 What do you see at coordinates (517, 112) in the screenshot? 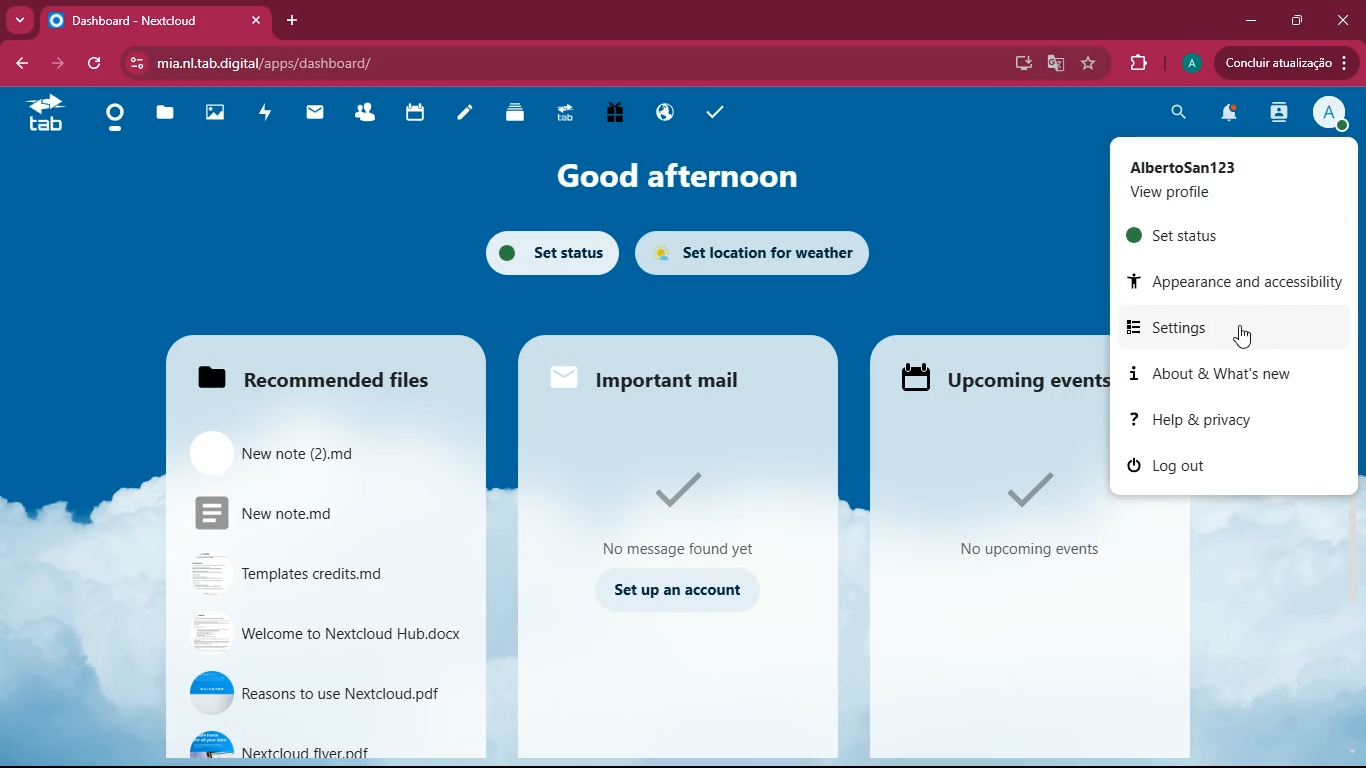
I see `layers` at bounding box center [517, 112].